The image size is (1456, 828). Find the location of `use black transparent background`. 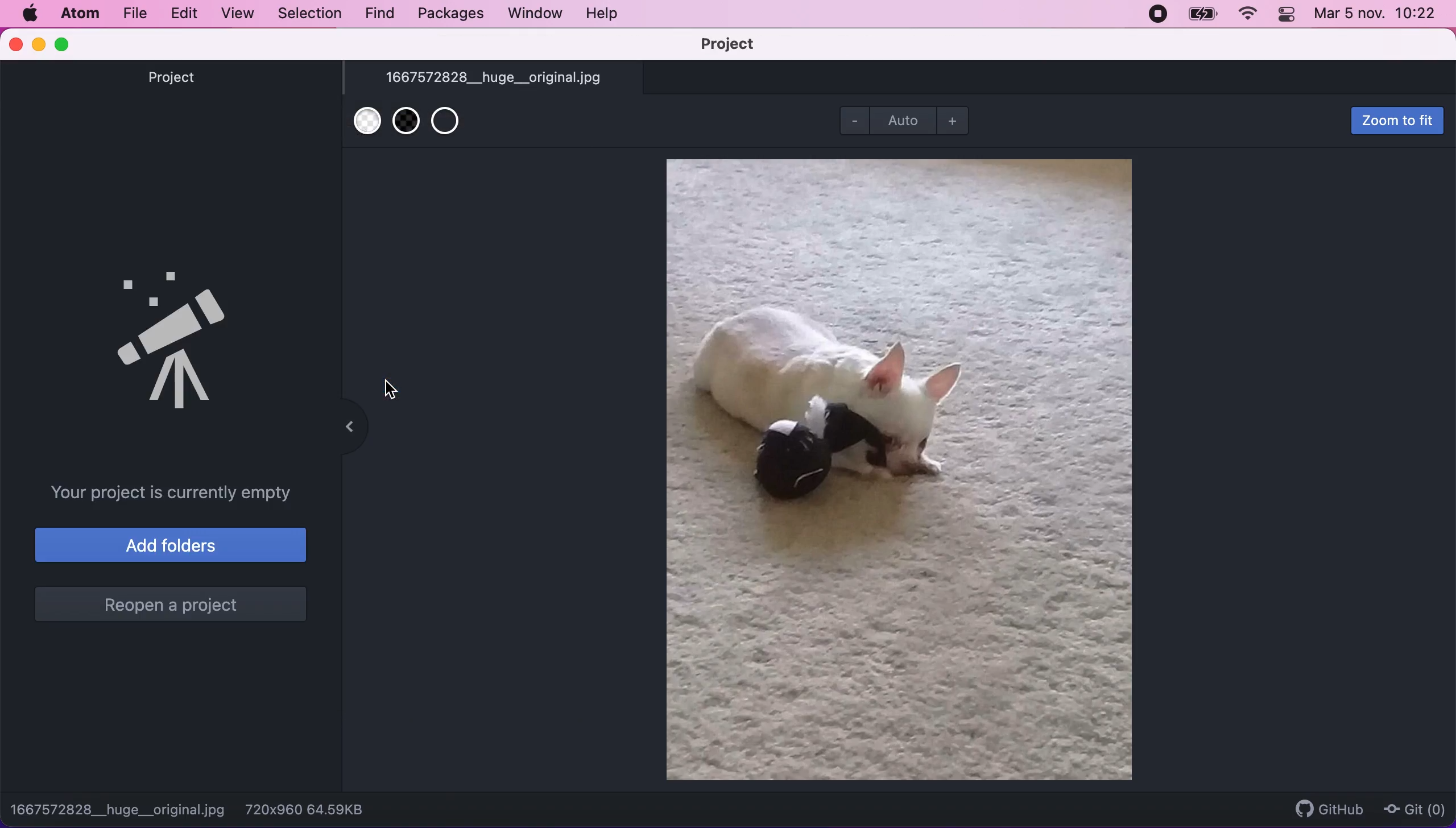

use black transparent background is located at coordinates (406, 129).